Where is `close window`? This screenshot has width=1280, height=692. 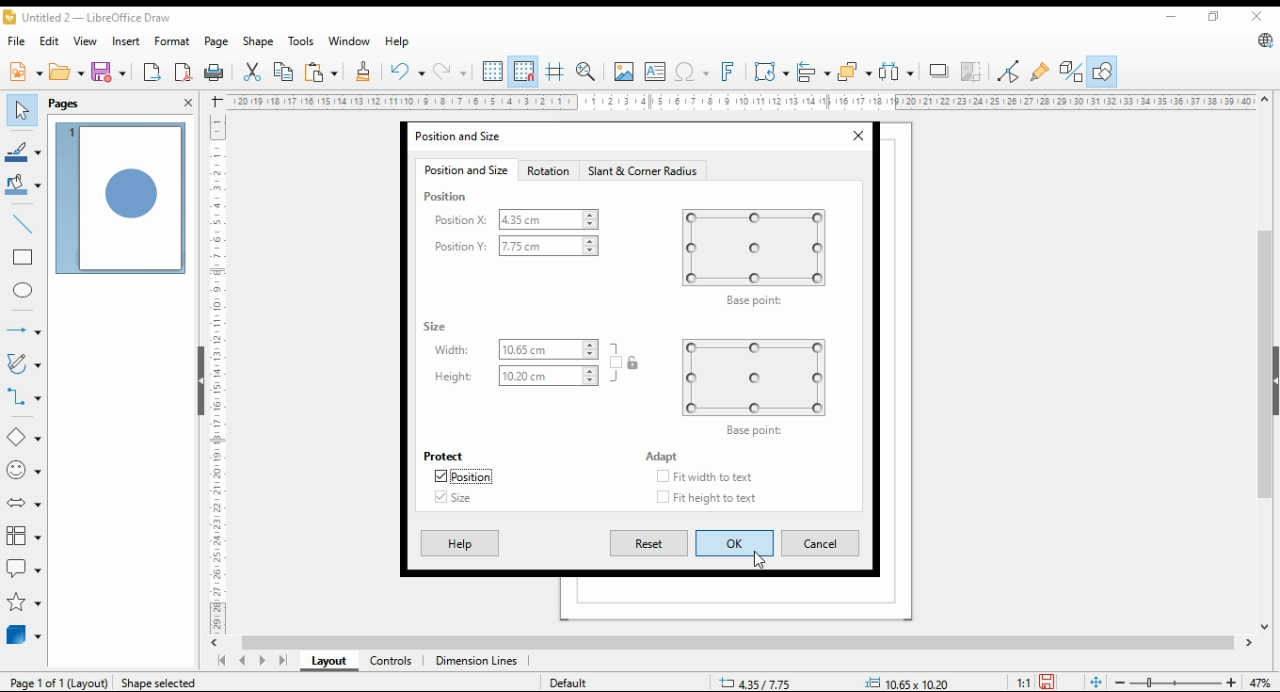
close window is located at coordinates (857, 133).